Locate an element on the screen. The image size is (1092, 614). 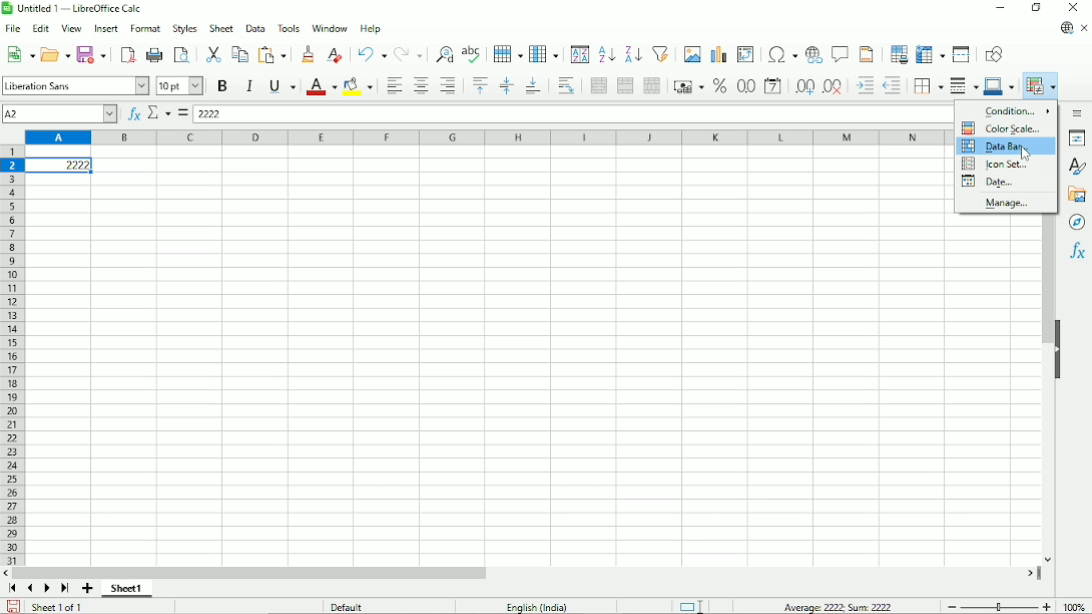
cursor is located at coordinates (1026, 153).